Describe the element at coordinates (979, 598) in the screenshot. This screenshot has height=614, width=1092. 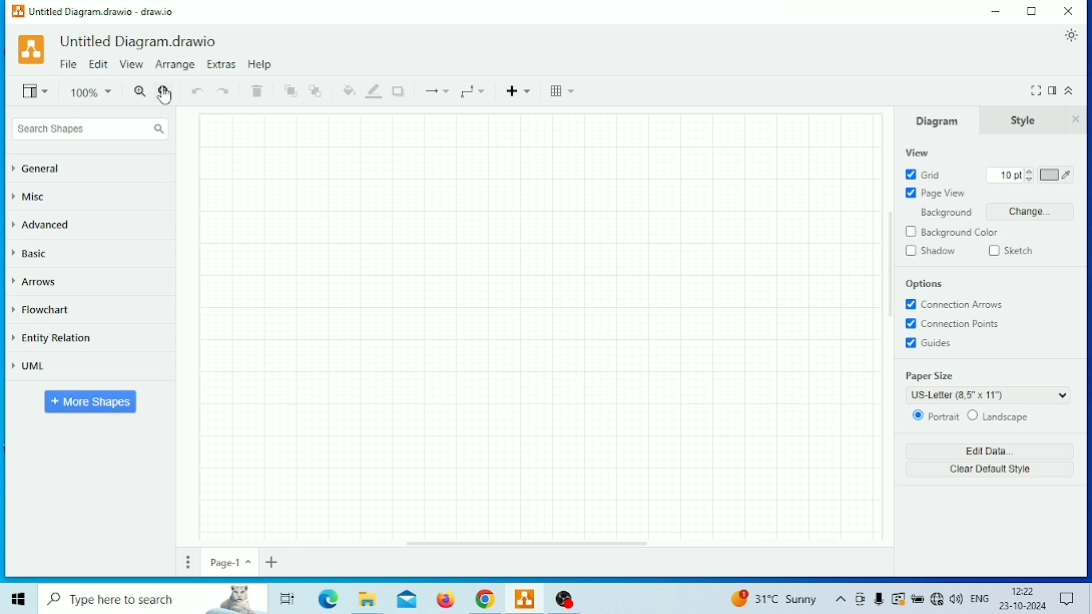
I see `Language` at that location.